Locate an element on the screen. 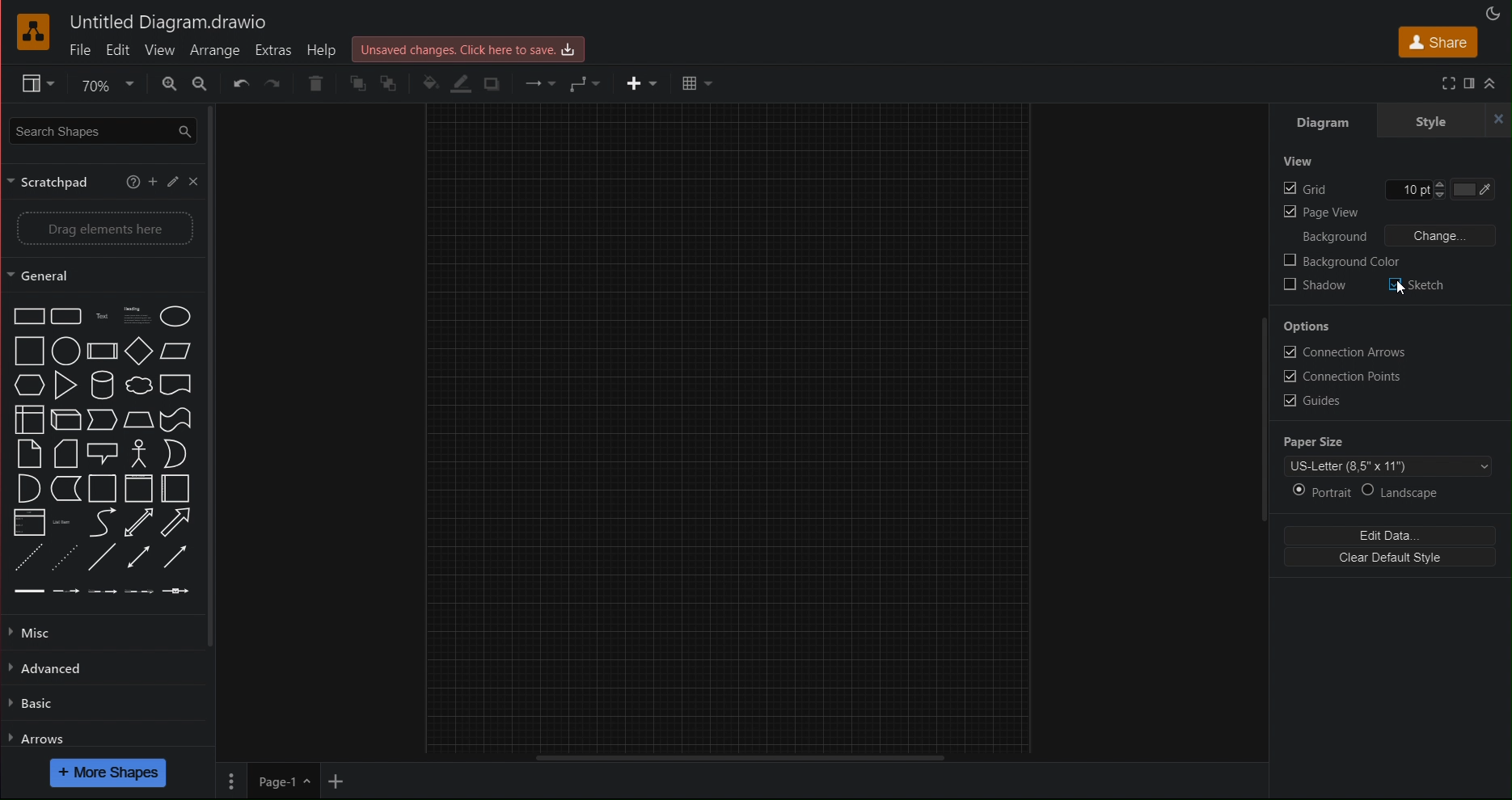  Search Shapes is located at coordinates (100, 133).